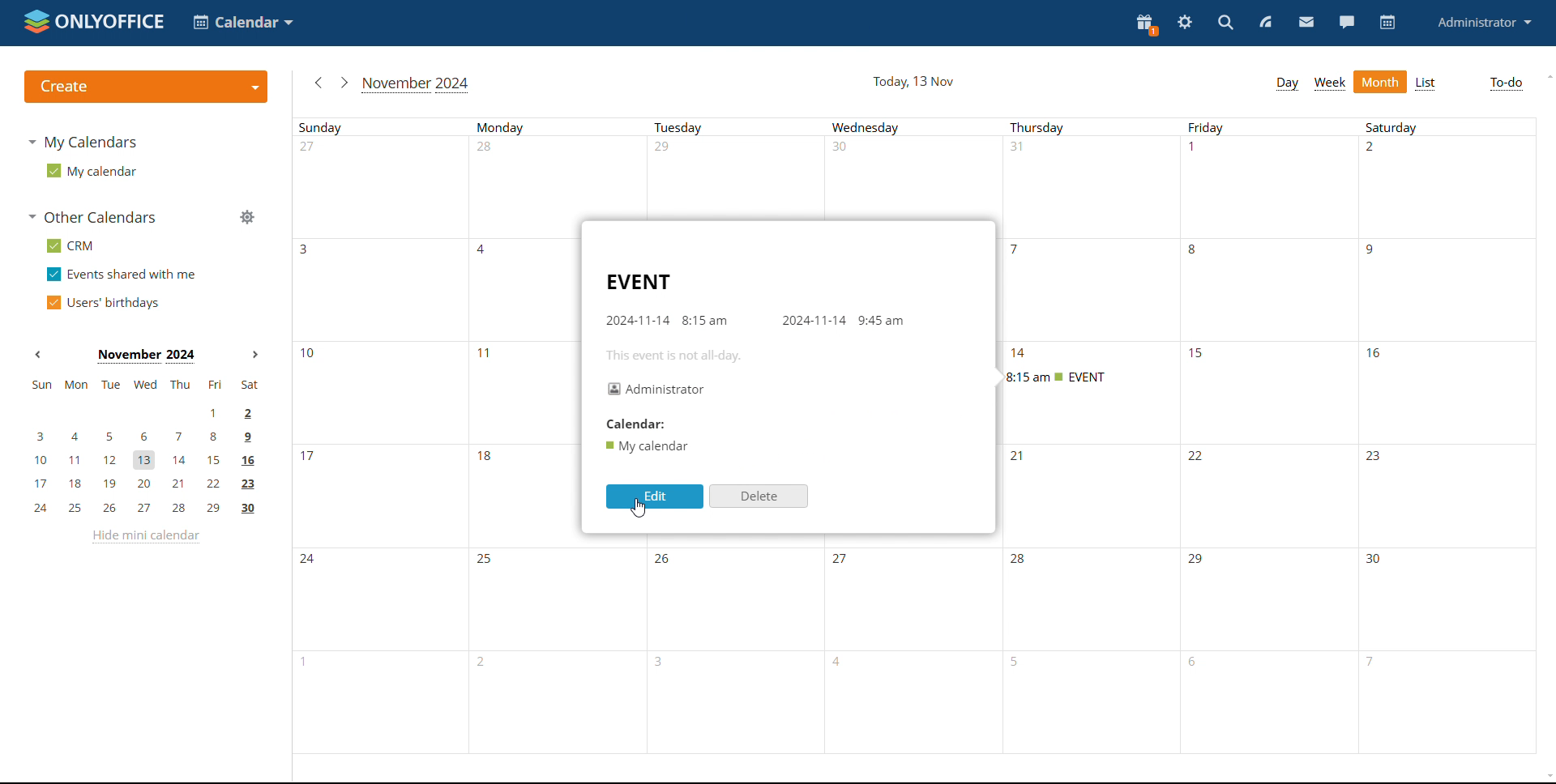 The image size is (1556, 784). What do you see at coordinates (1058, 377) in the screenshot?
I see `upcoming event` at bounding box center [1058, 377].